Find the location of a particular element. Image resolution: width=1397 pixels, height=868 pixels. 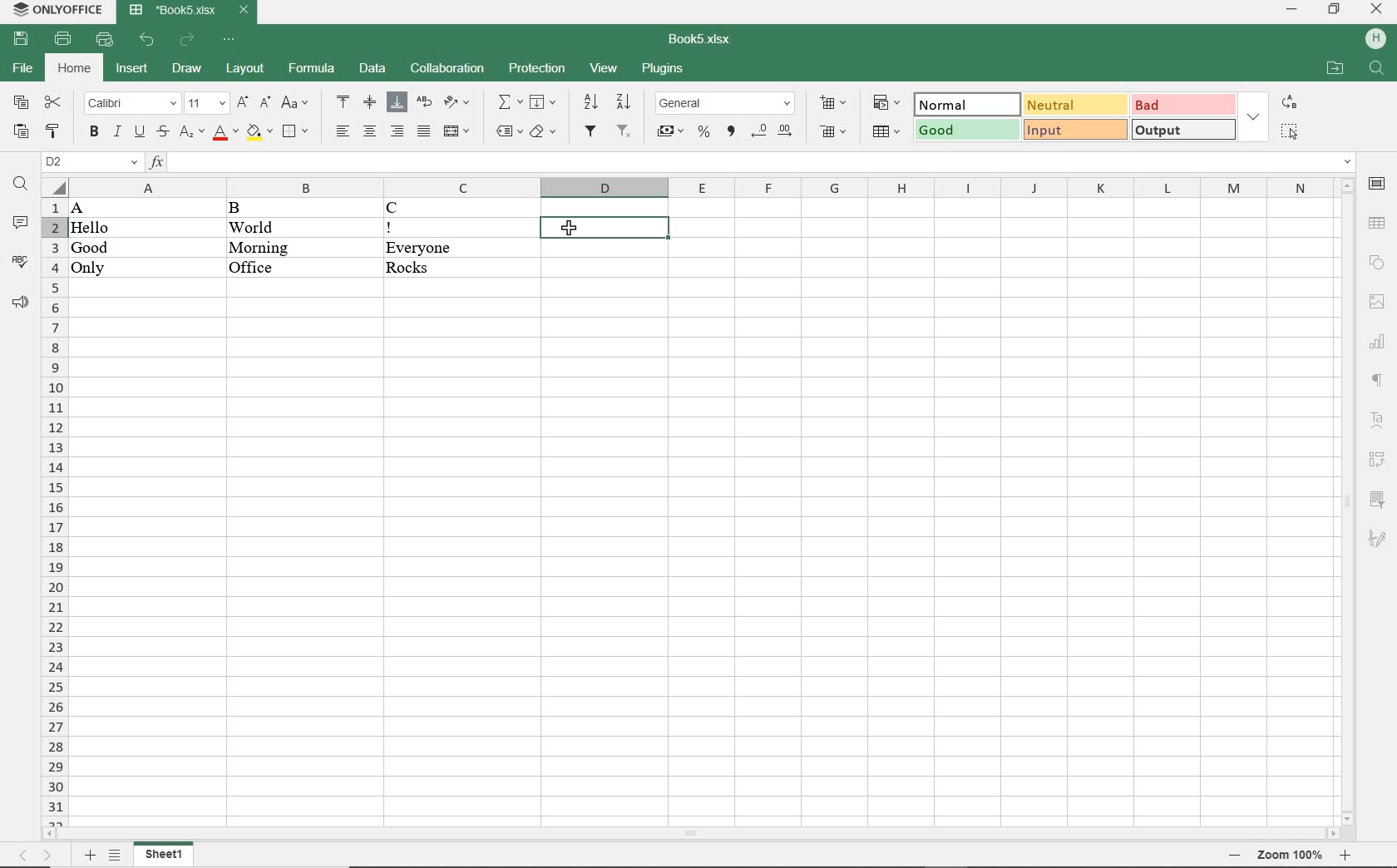

PARAGRAPH SETTINGS is located at coordinates (1377, 382).